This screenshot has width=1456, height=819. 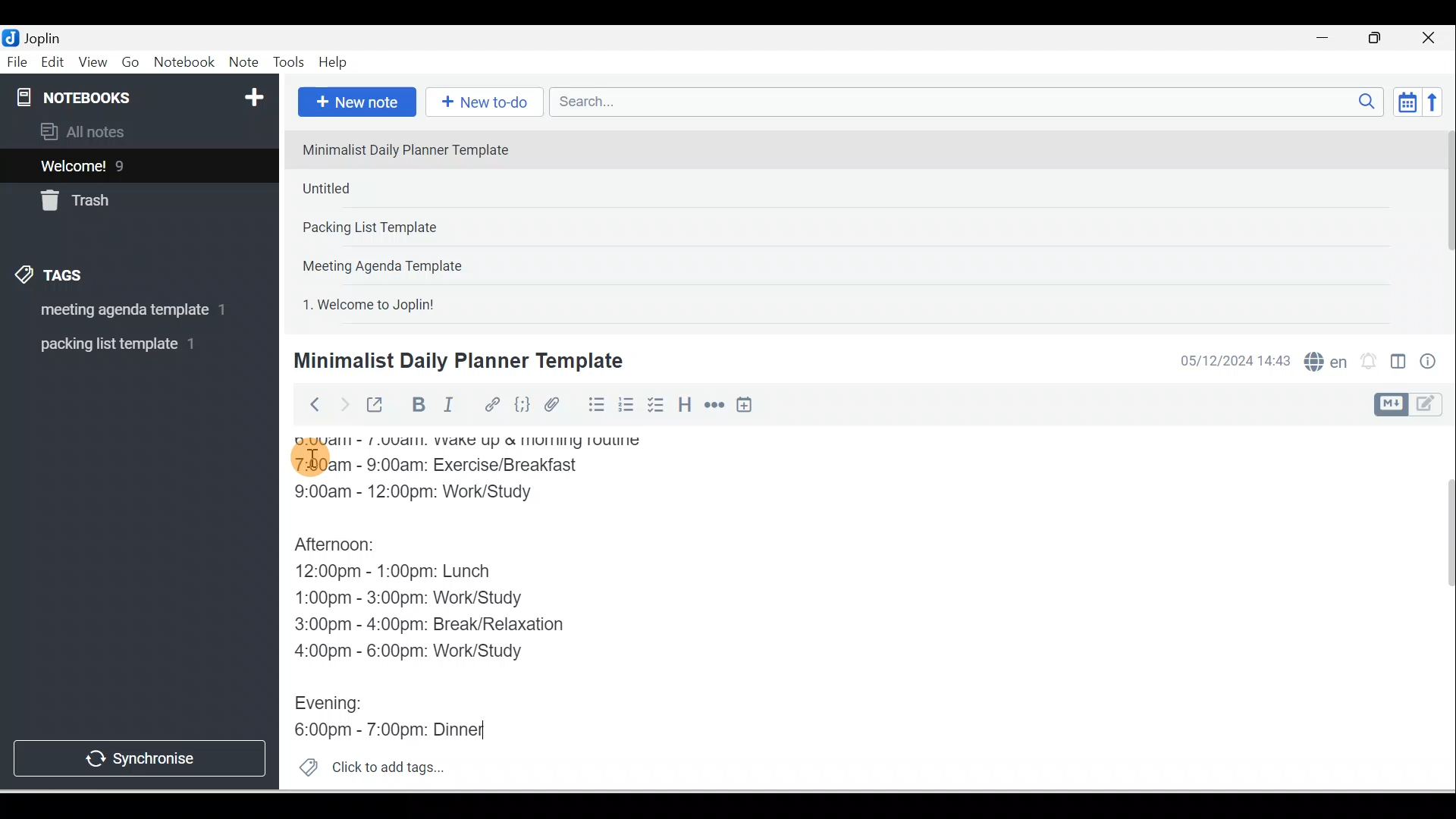 What do you see at coordinates (1432, 38) in the screenshot?
I see `Close` at bounding box center [1432, 38].